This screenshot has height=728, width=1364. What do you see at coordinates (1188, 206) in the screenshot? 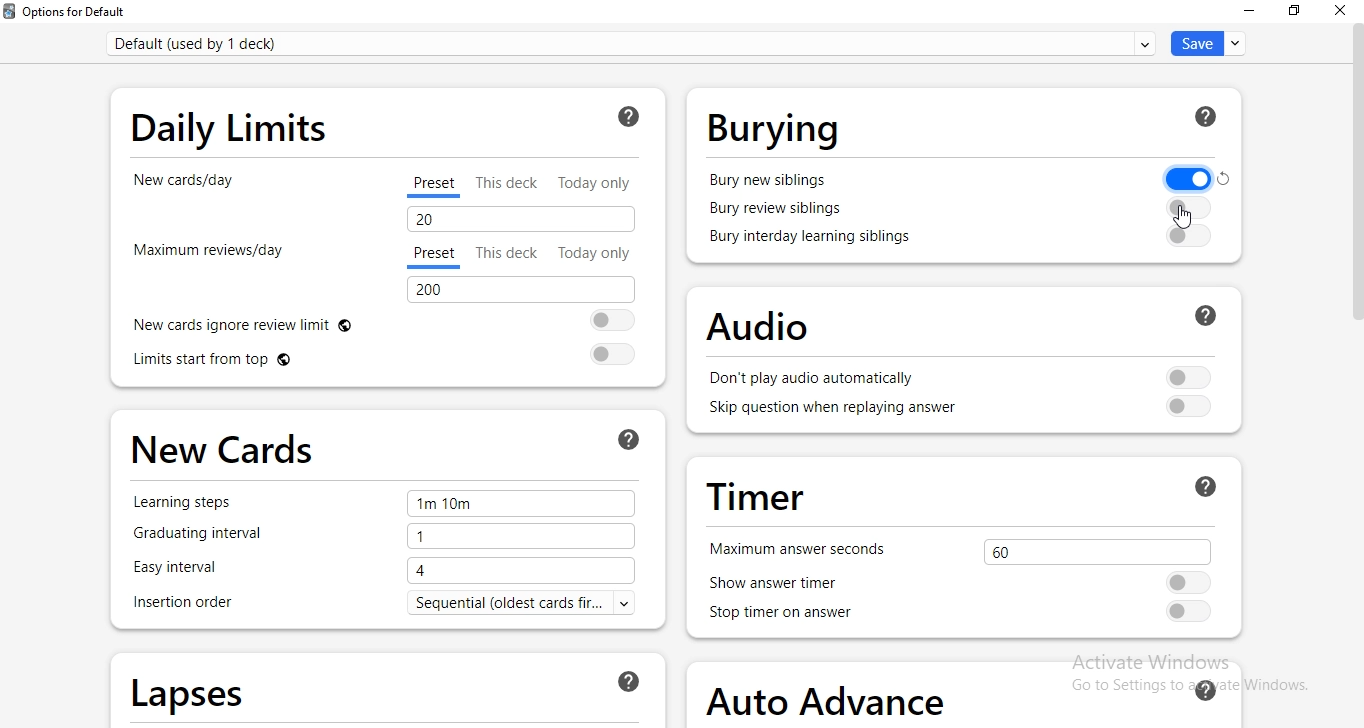
I see `` at bounding box center [1188, 206].